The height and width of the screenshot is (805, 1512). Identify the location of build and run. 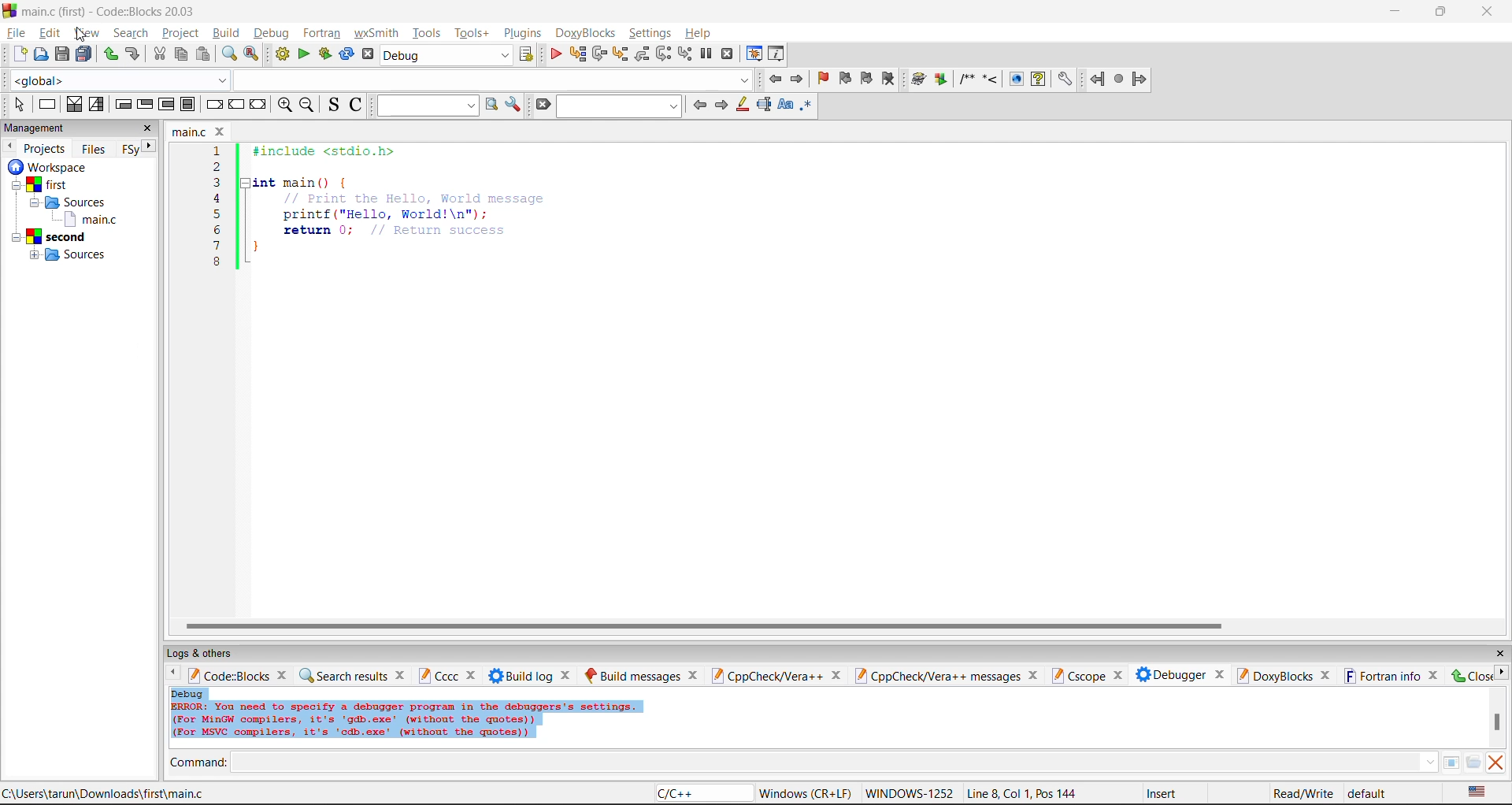
(328, 57).